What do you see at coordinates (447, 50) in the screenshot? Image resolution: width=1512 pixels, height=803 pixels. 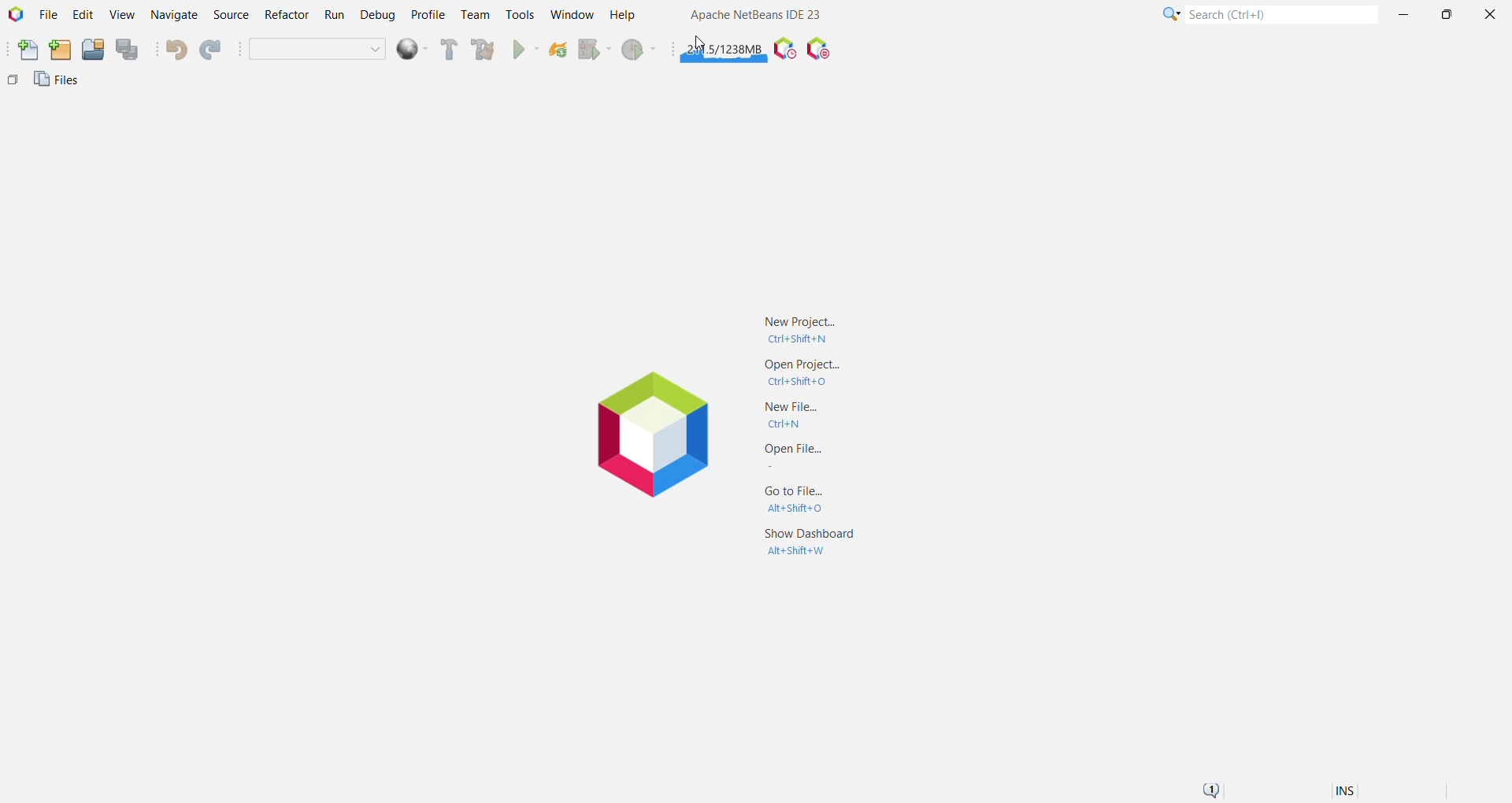 I see `Build Main Project` at bounding box center [447, 50].